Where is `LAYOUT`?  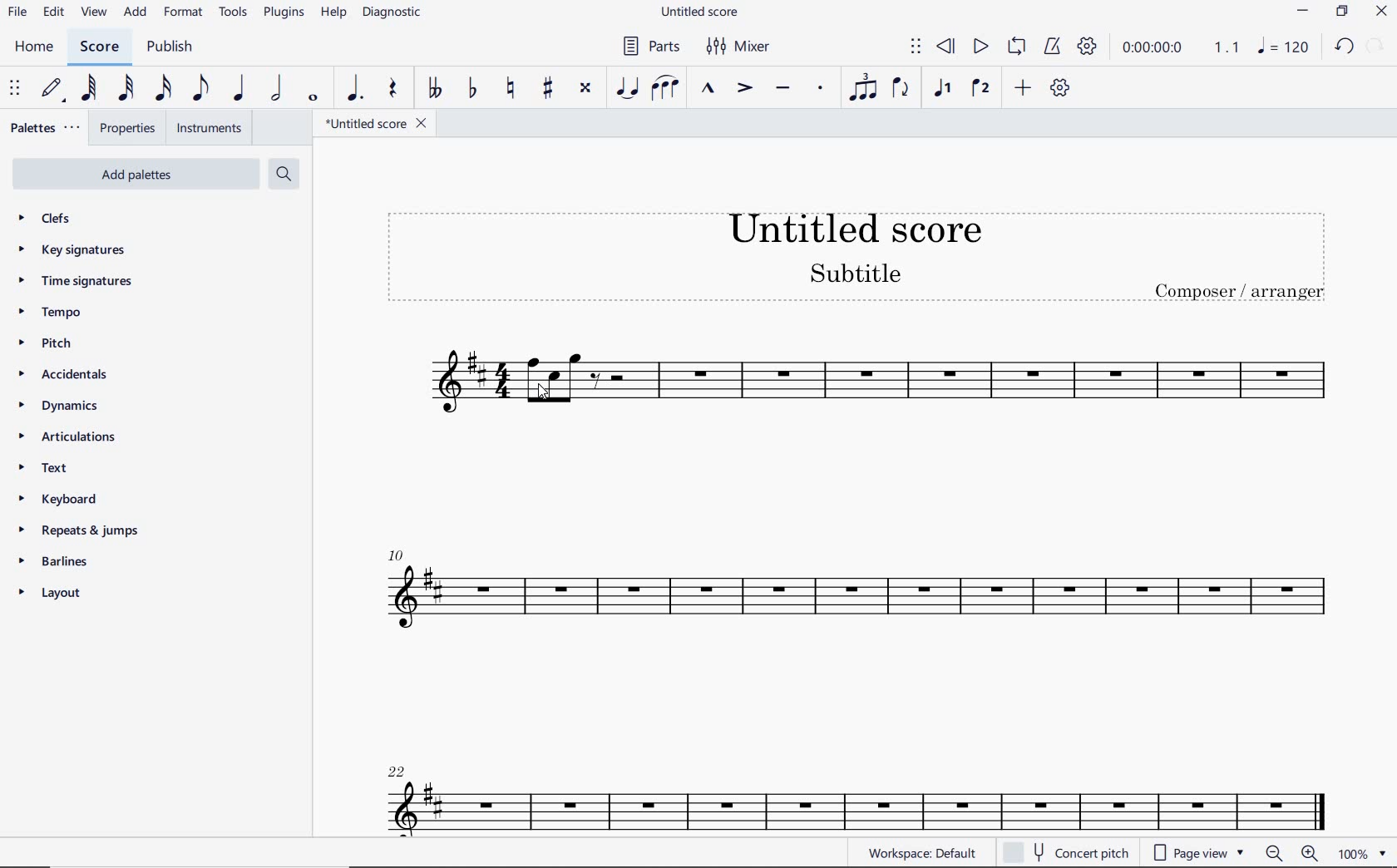
LAYOUT is located at coordinates (52, 594).